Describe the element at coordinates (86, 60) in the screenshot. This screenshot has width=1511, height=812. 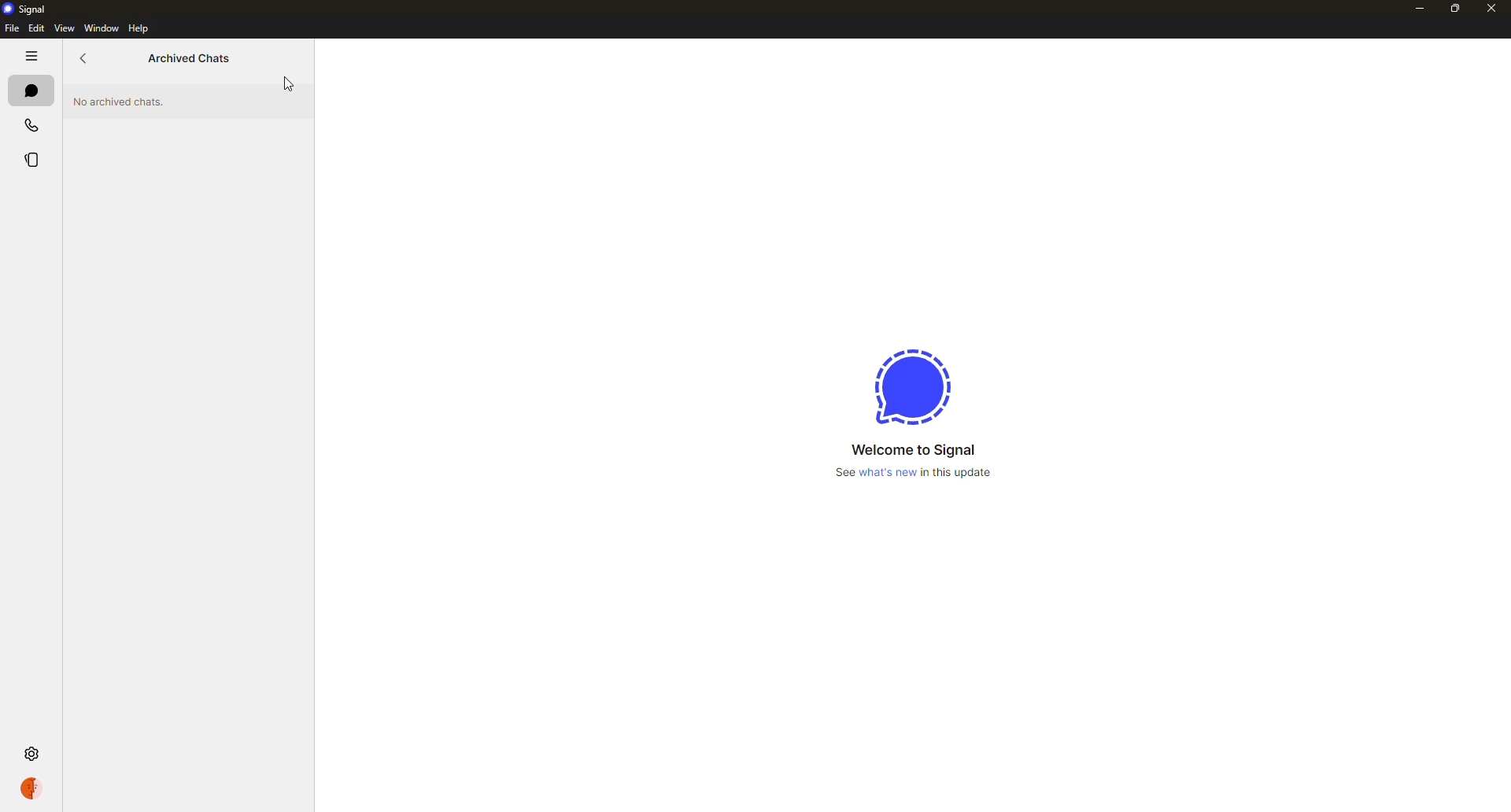
I see `back` at that location.